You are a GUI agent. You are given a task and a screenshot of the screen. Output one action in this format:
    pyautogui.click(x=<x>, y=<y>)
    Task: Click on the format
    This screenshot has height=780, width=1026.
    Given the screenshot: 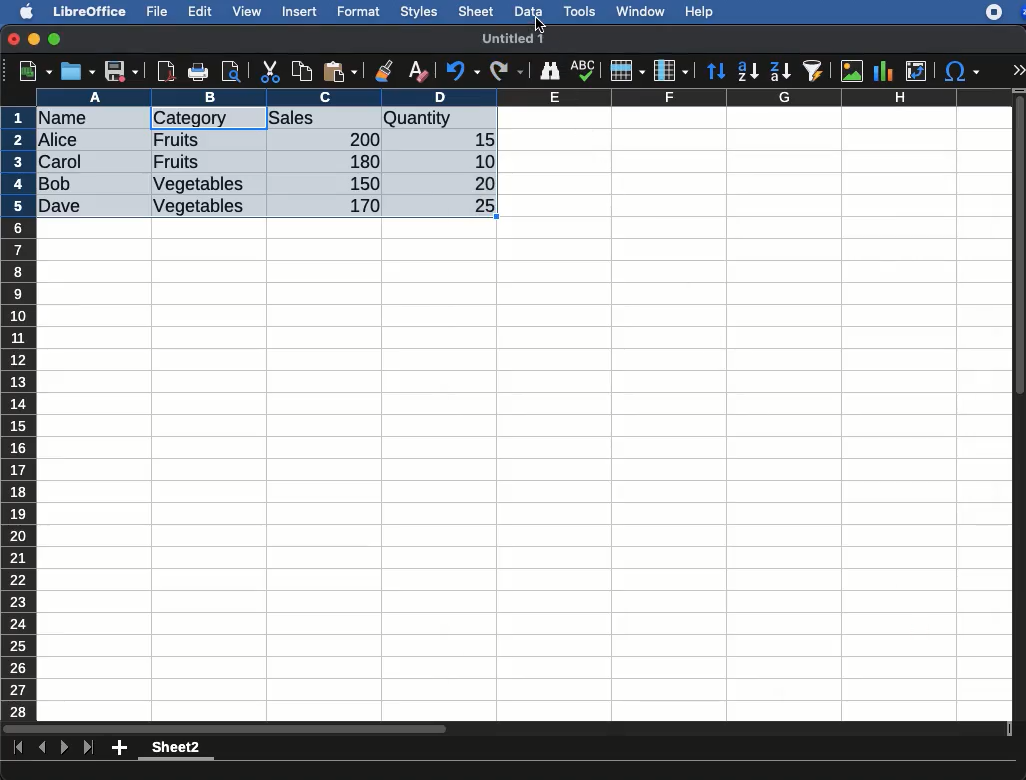 What is the action you would take?
    pyautogui.click(x=359, y=12)
    